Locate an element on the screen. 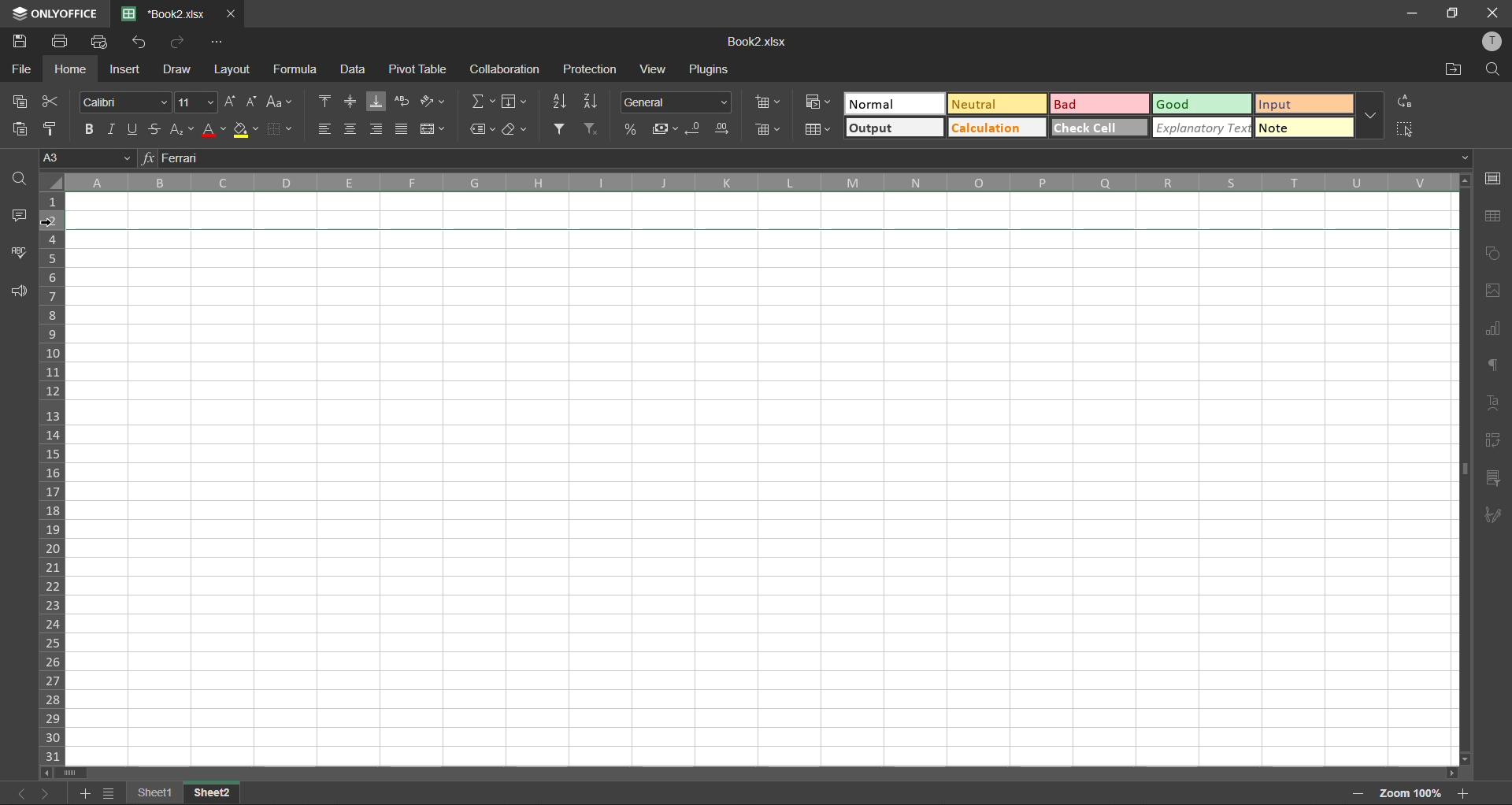 This screenshot has height=805, width=1512. text is located at coordinates (1495, 402).